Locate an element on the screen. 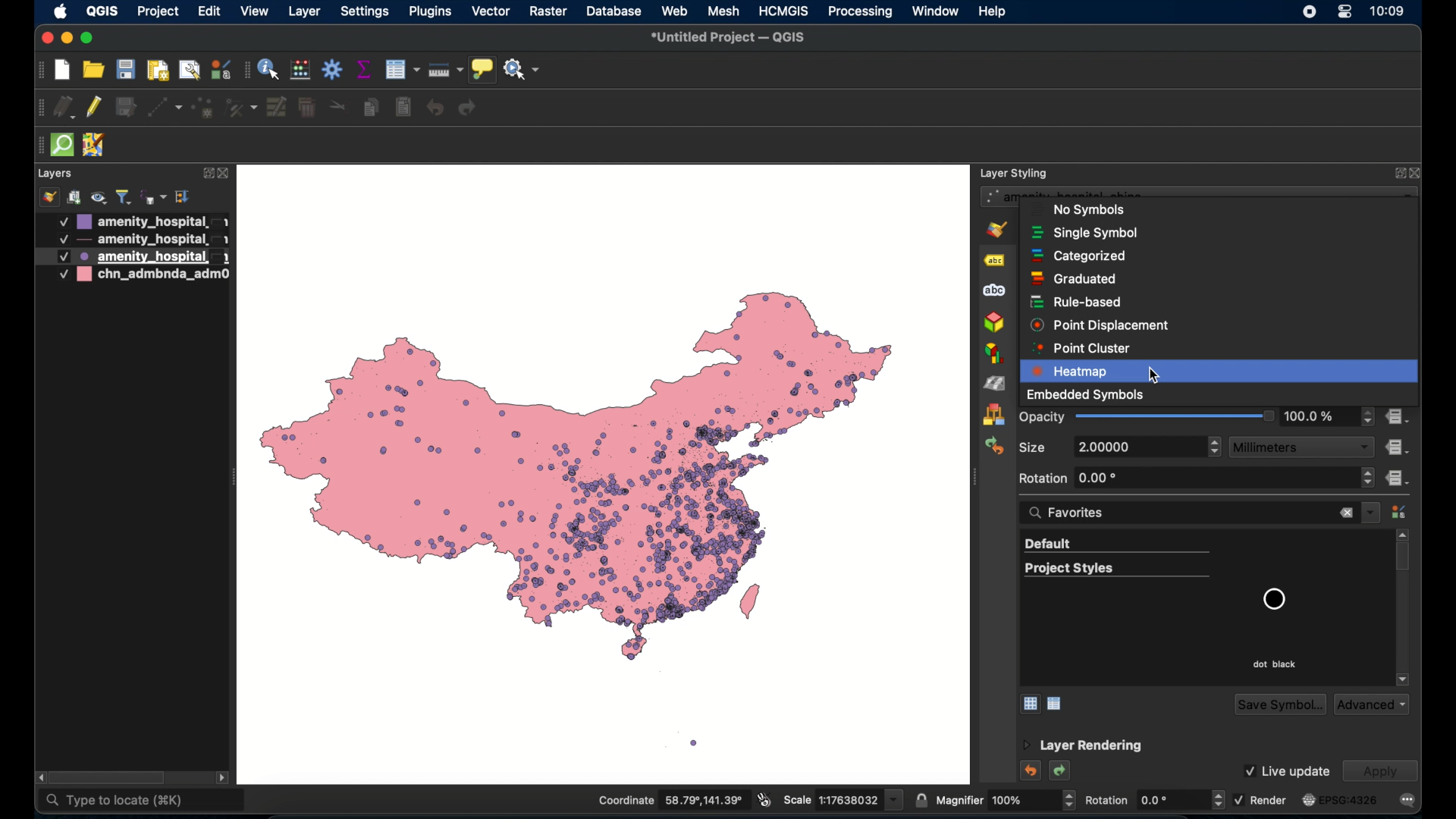  point displacement is located at coordinates (1100, 325).